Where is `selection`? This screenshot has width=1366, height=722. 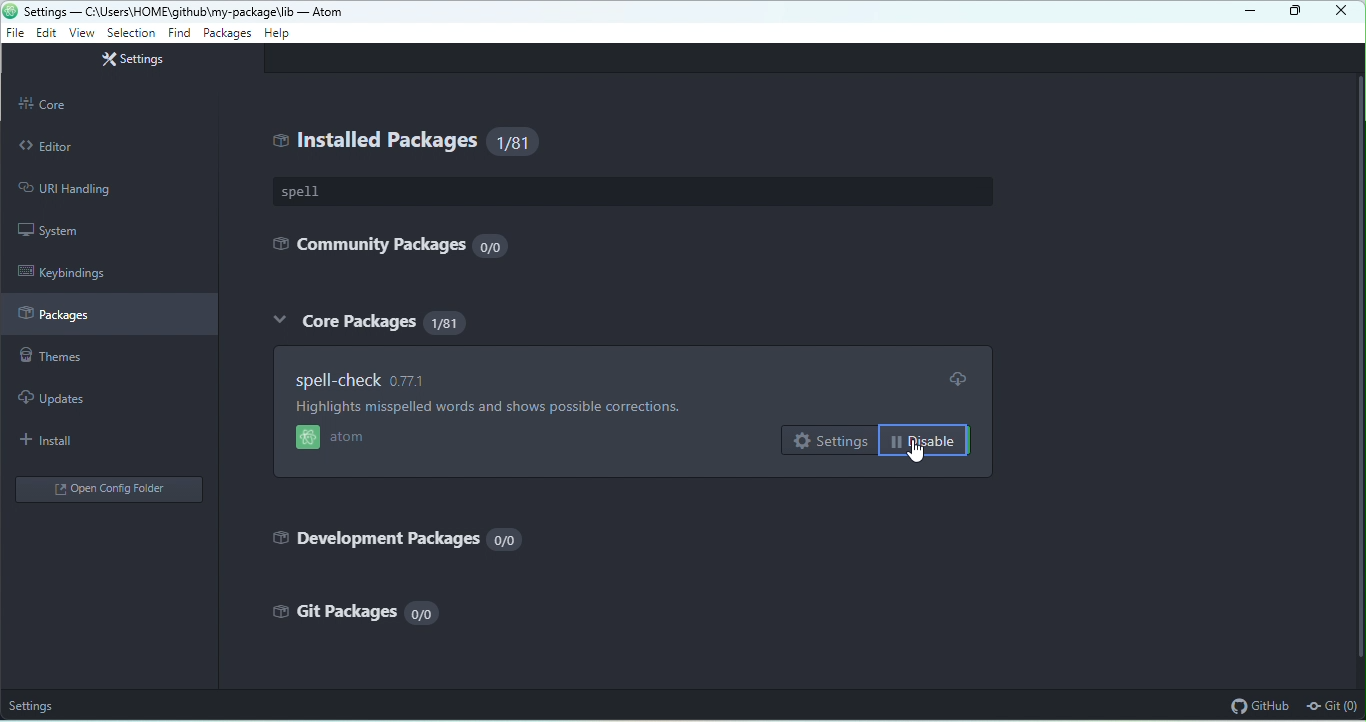
selection is located at coordinates (132, 33).